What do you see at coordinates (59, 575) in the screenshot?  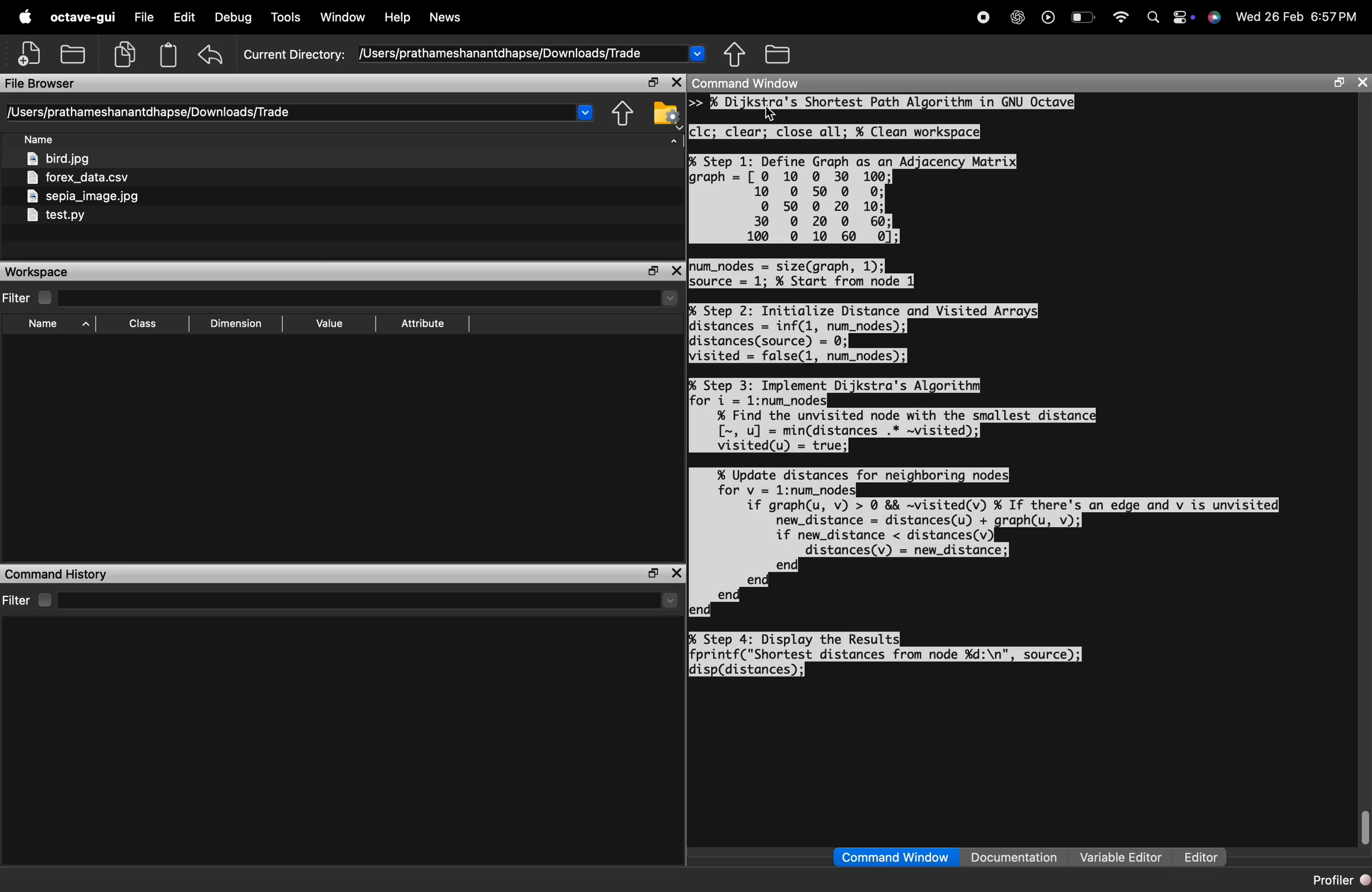 I see `command history` at bounding box center [59, 575].